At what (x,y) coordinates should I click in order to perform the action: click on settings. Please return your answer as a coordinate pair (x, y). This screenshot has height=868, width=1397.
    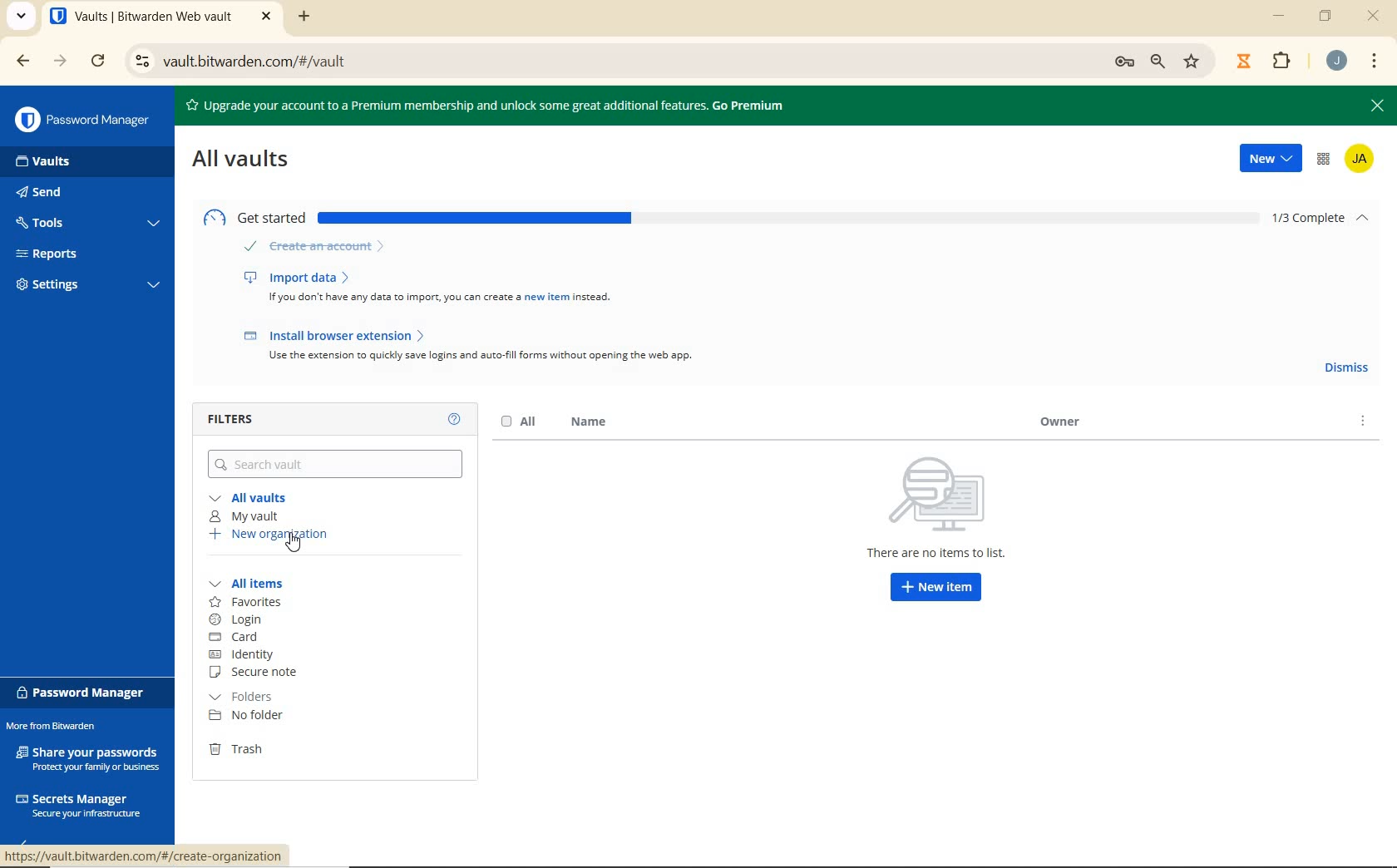
    Looking at the image, I should click on (85, 287).